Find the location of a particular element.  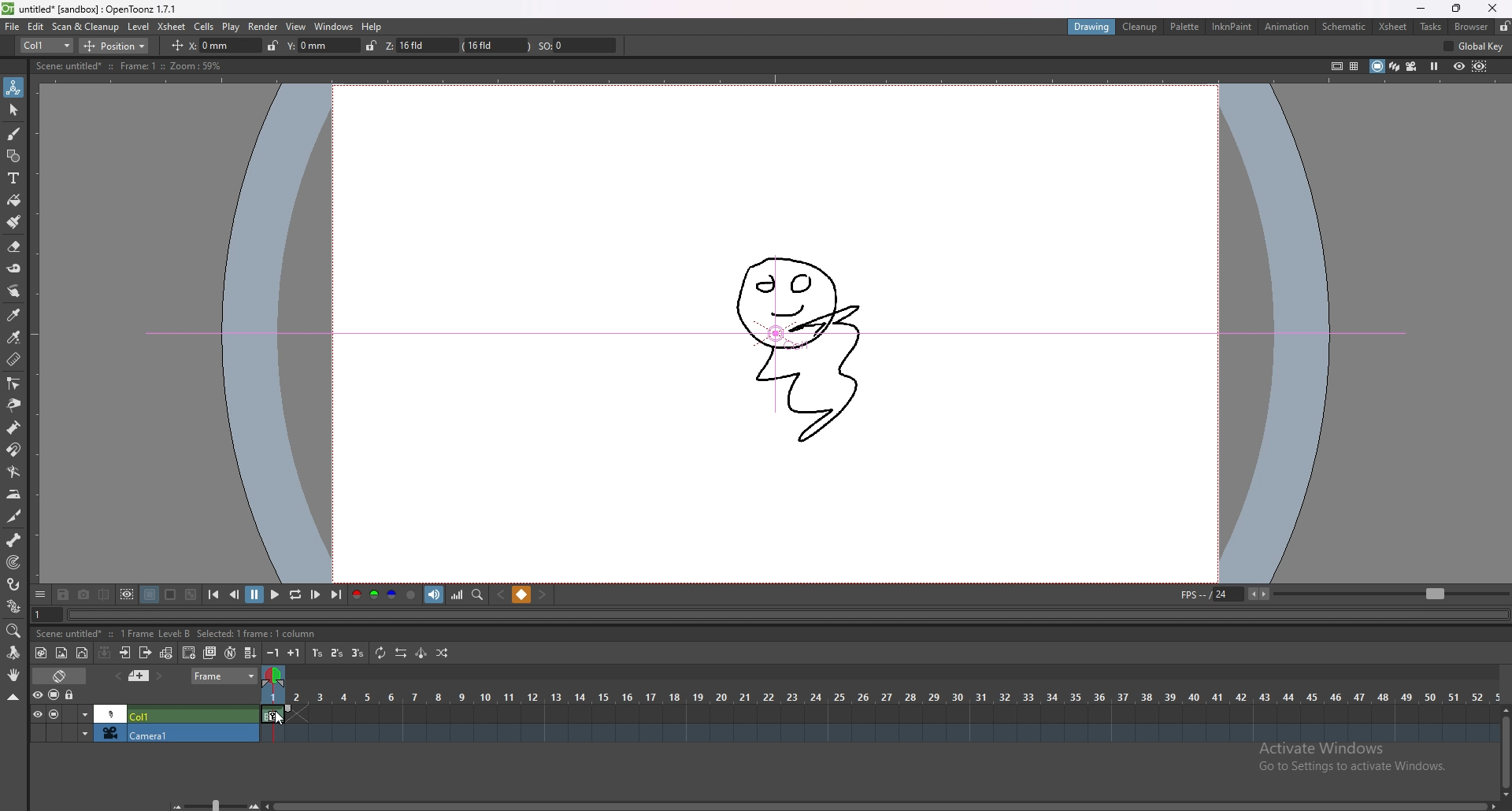

iron is located at coordinates (15, 494).